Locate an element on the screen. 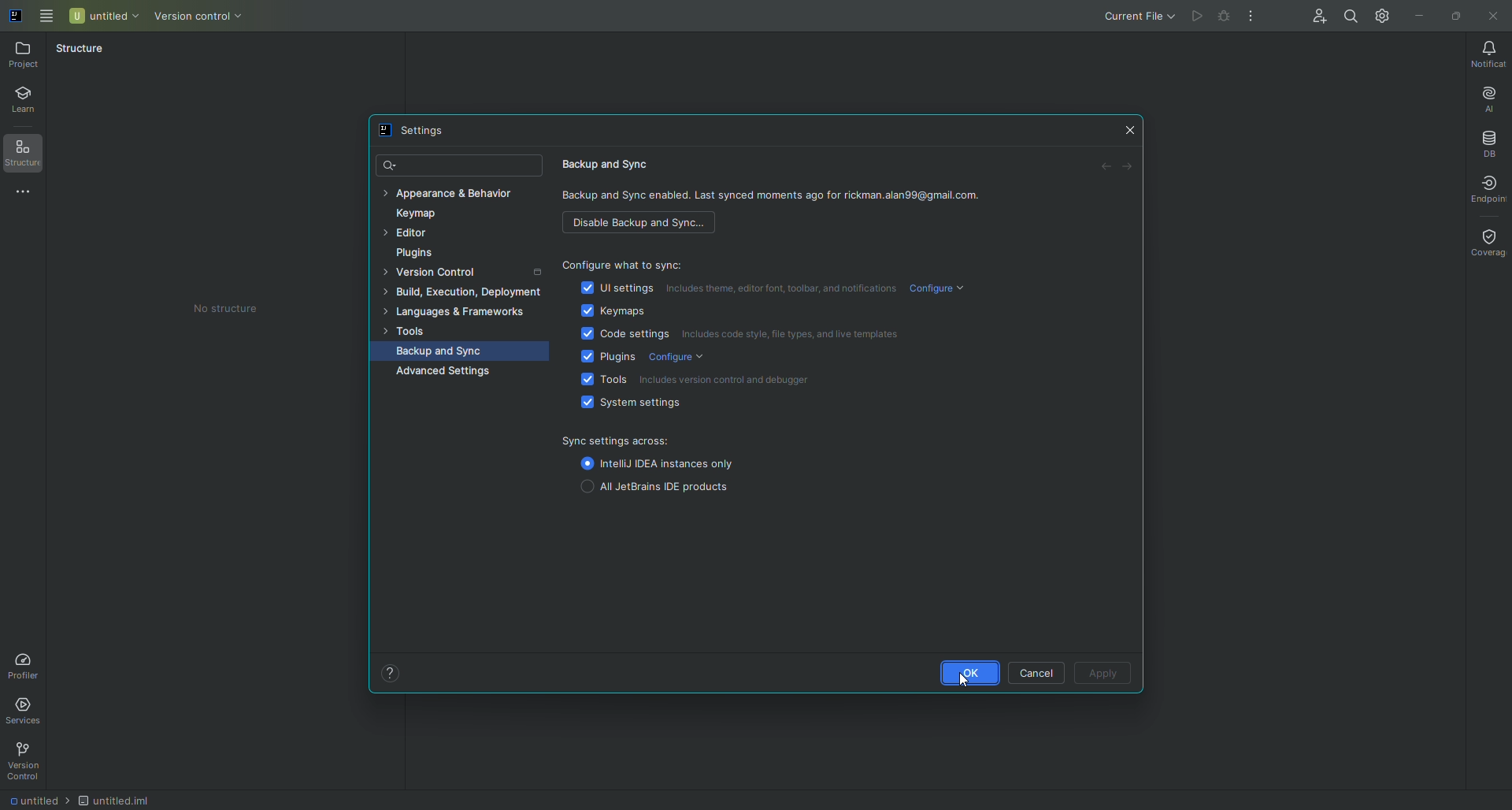  Settings Range is located at coordinates (619, 440).